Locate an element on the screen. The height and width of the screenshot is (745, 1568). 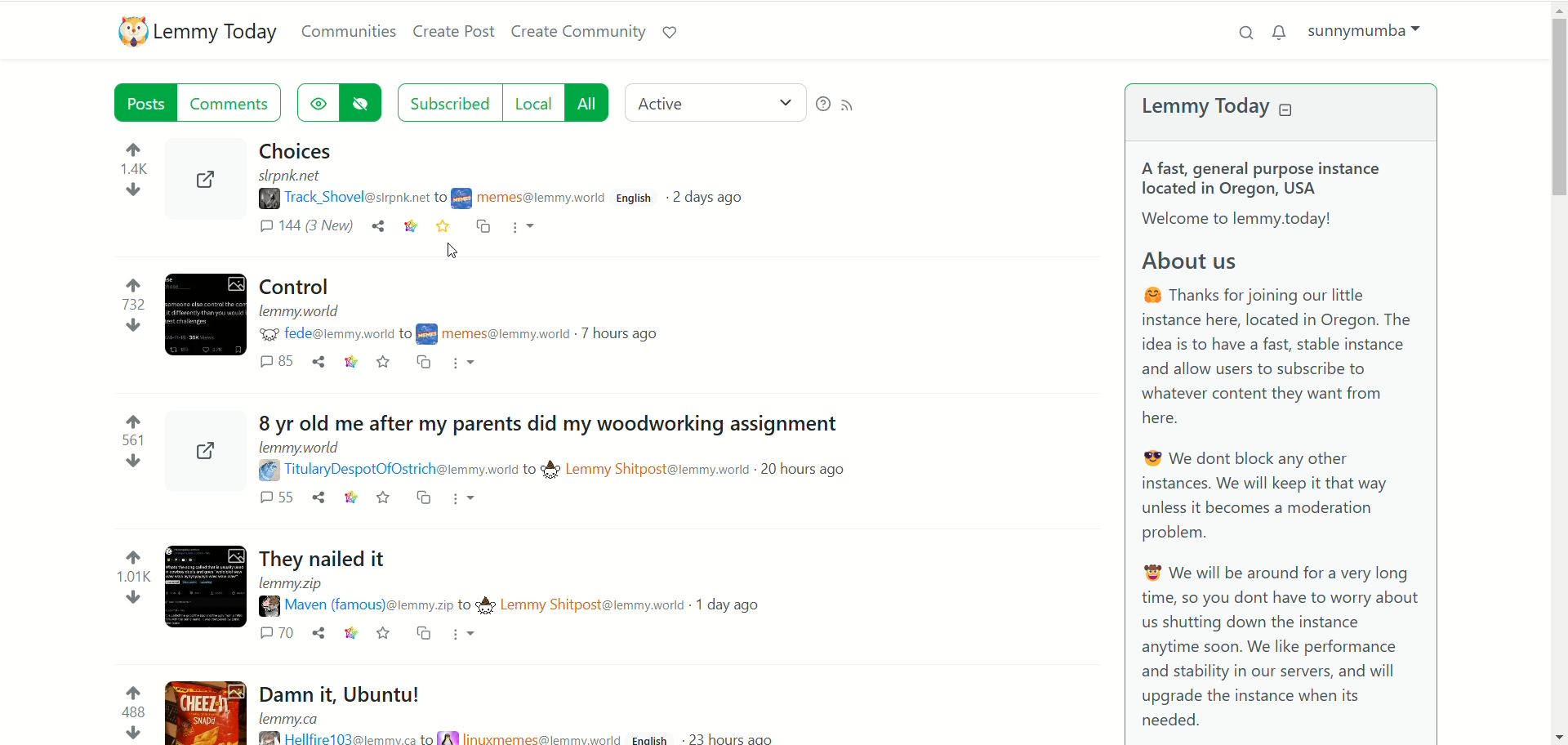
English(language) is located at coordinates (636, 196).